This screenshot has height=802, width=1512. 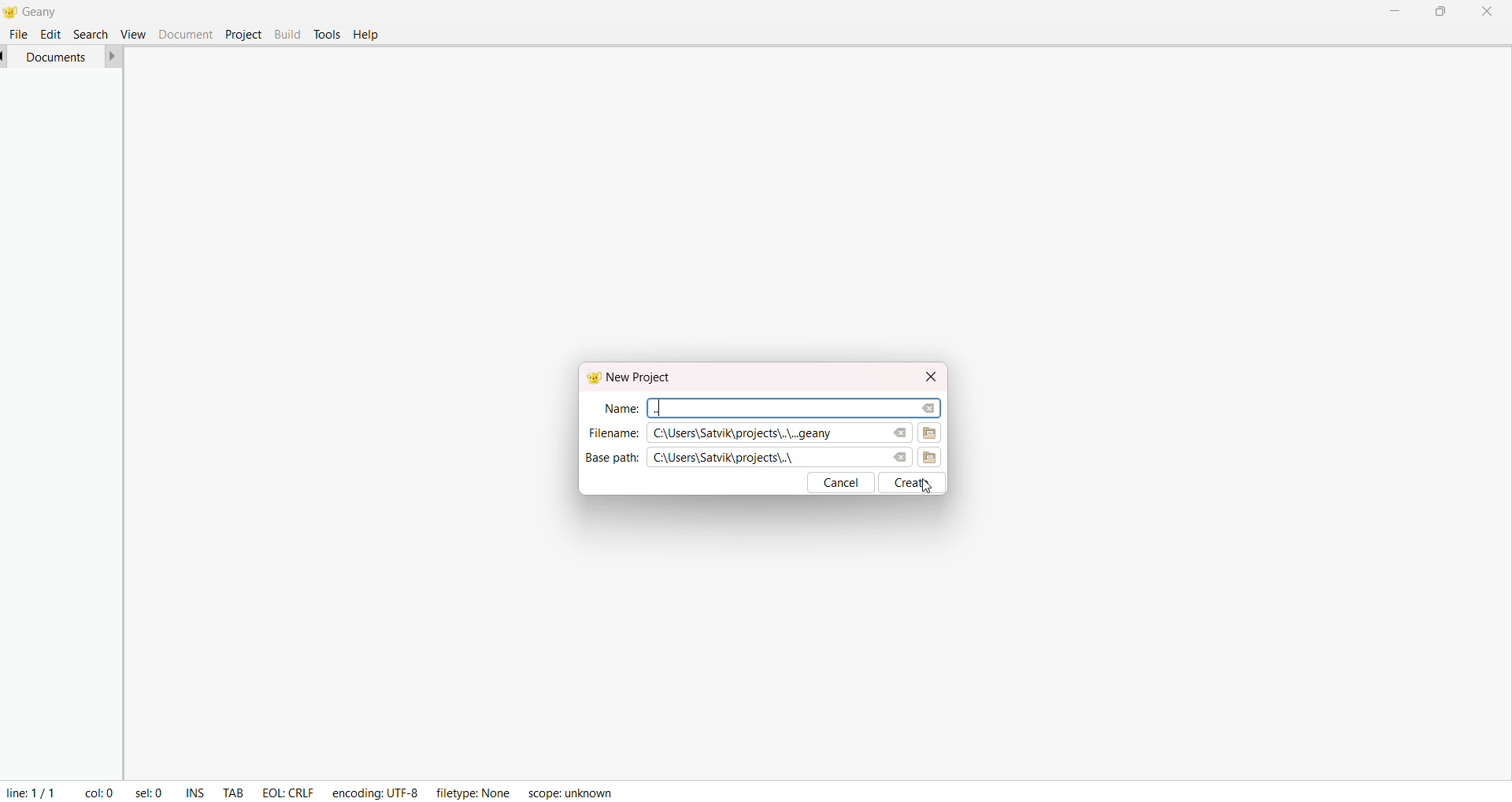 I want to click on encoding: UTF-8, so click(x=376, y=790).